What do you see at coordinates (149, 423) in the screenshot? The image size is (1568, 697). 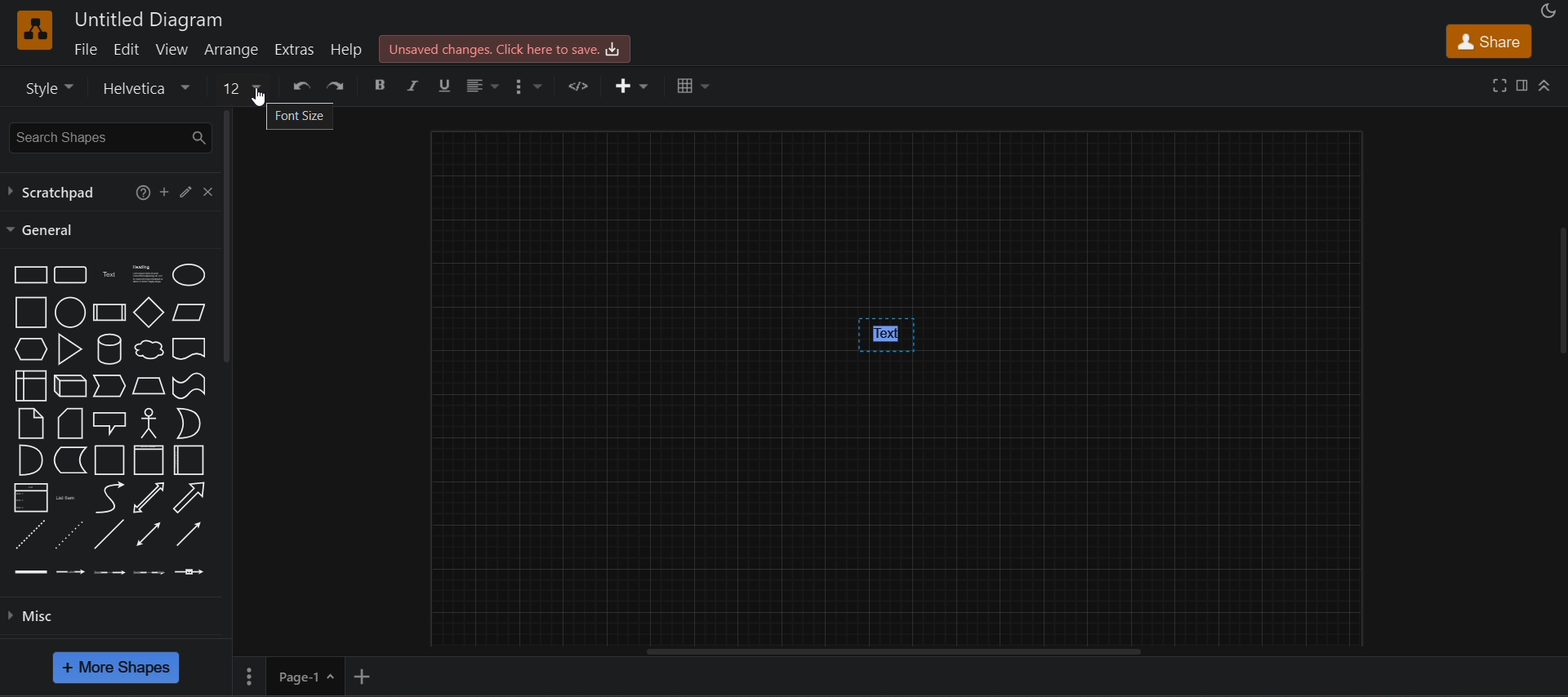 I see `Actor` at bounding box center [149, 423].